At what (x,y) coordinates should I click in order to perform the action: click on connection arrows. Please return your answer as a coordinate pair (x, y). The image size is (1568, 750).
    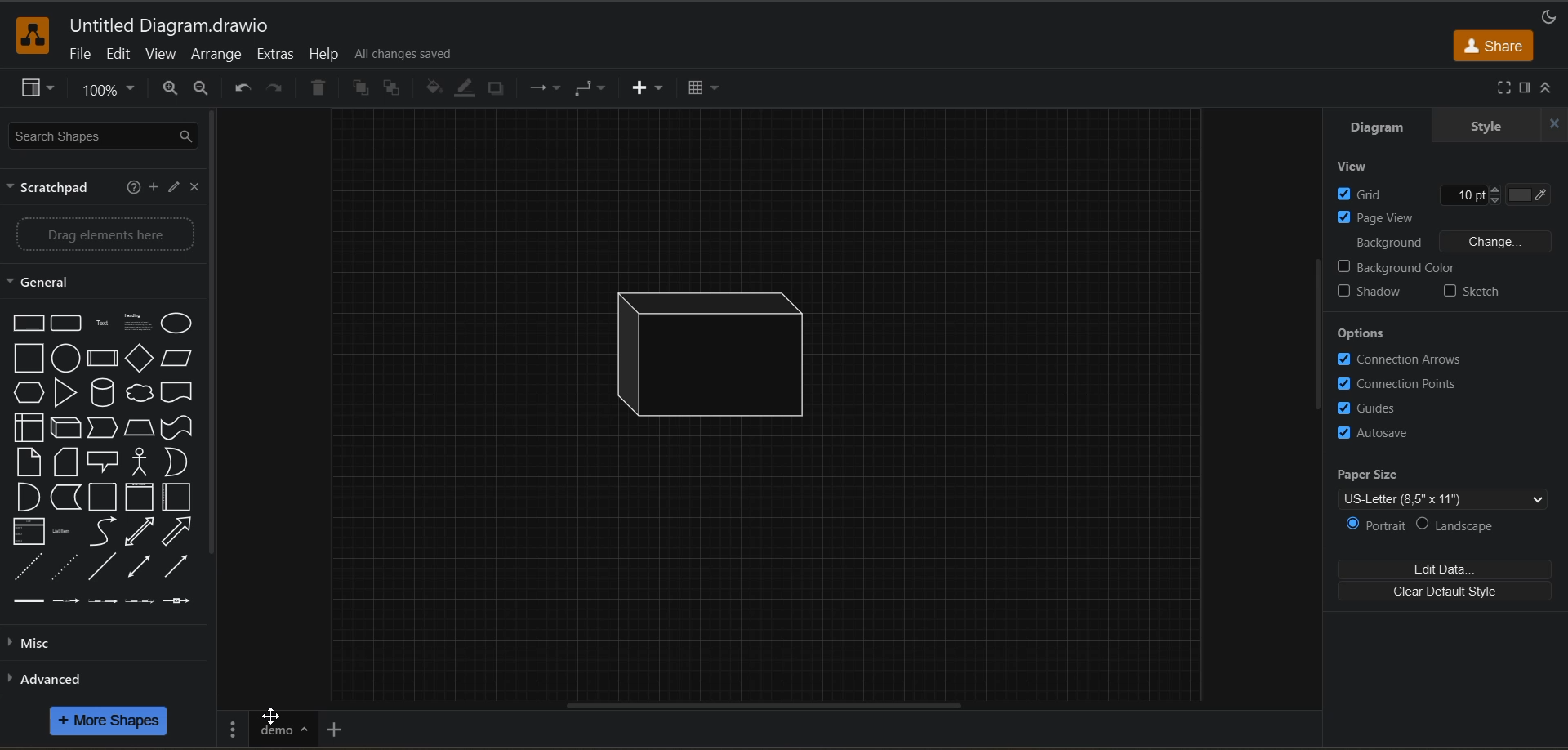
    Looking at the image, I should click on (1402, 361).